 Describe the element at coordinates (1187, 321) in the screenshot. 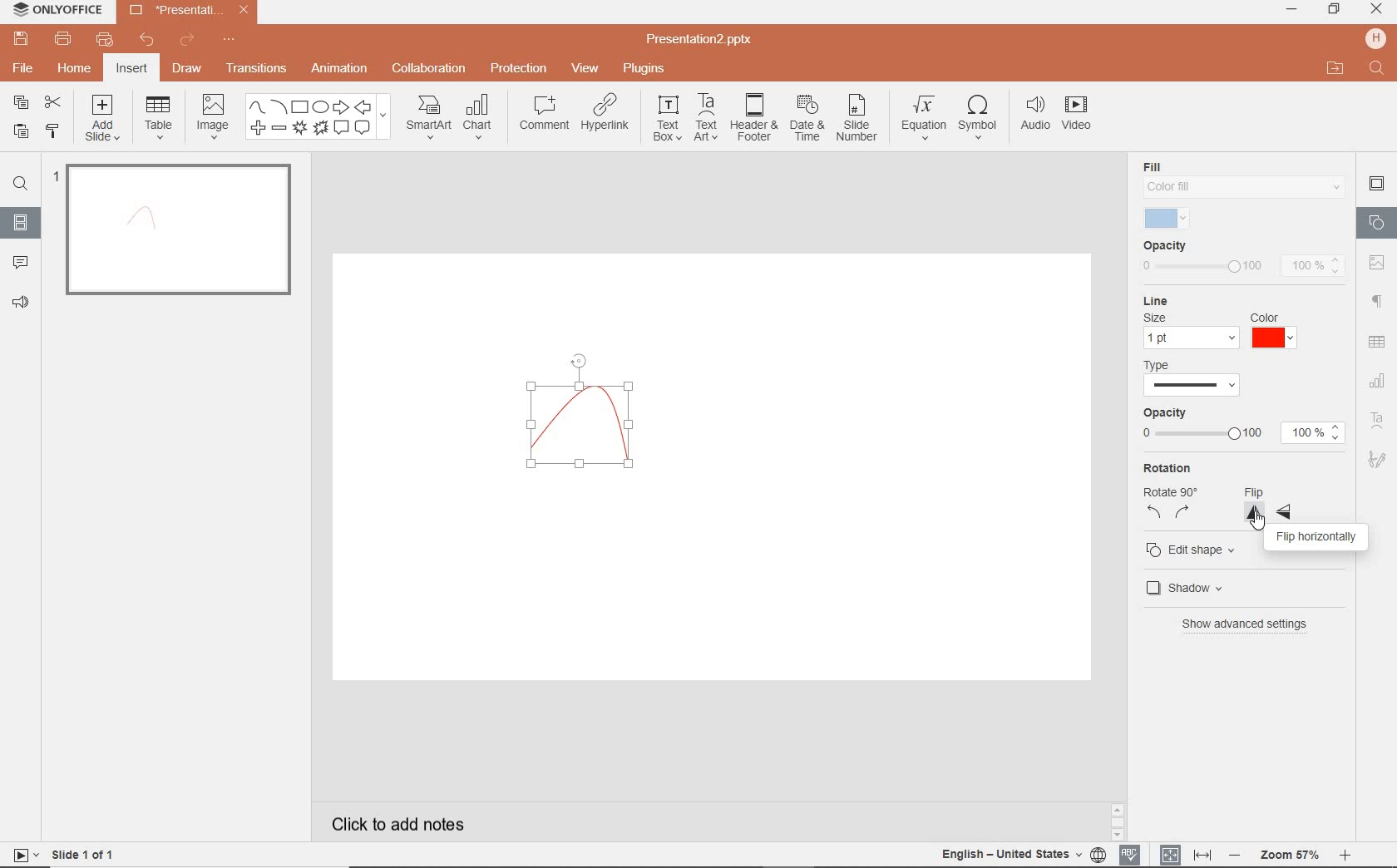

I see `line settings` at that location.